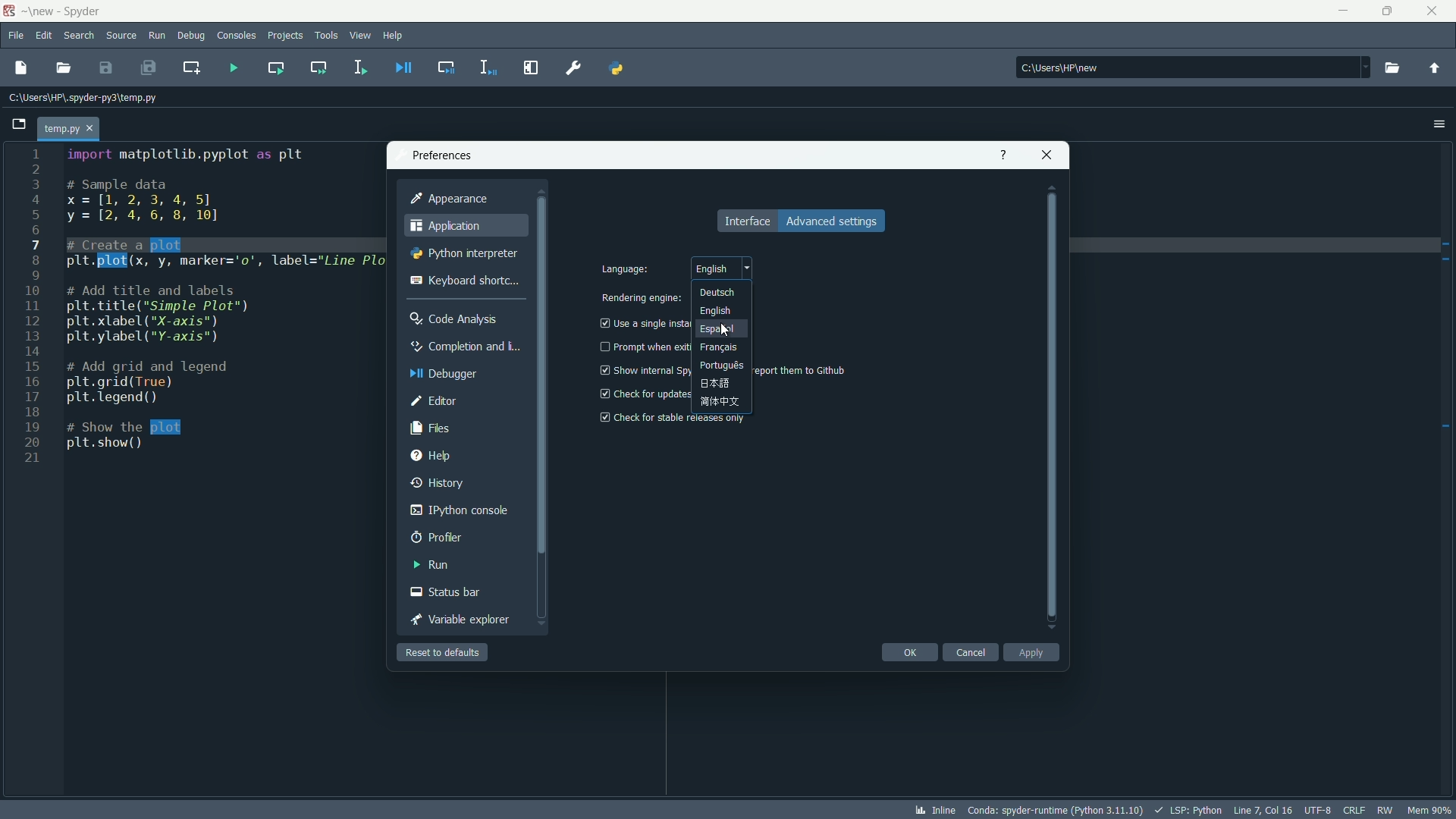 Image resolution: width=1456 pixels, height=819 pixels. I want to click on ipython console, so click(460, 510).